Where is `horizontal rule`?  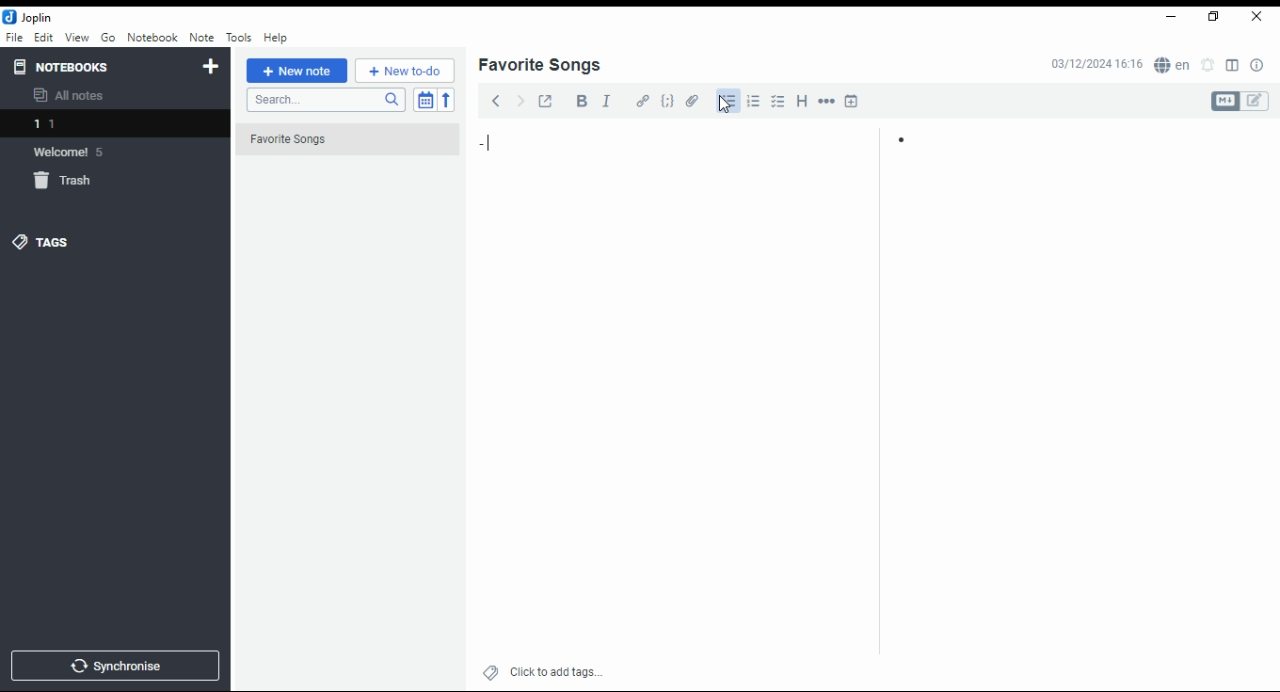 horizontal rule is located at coordinates (828, 100).